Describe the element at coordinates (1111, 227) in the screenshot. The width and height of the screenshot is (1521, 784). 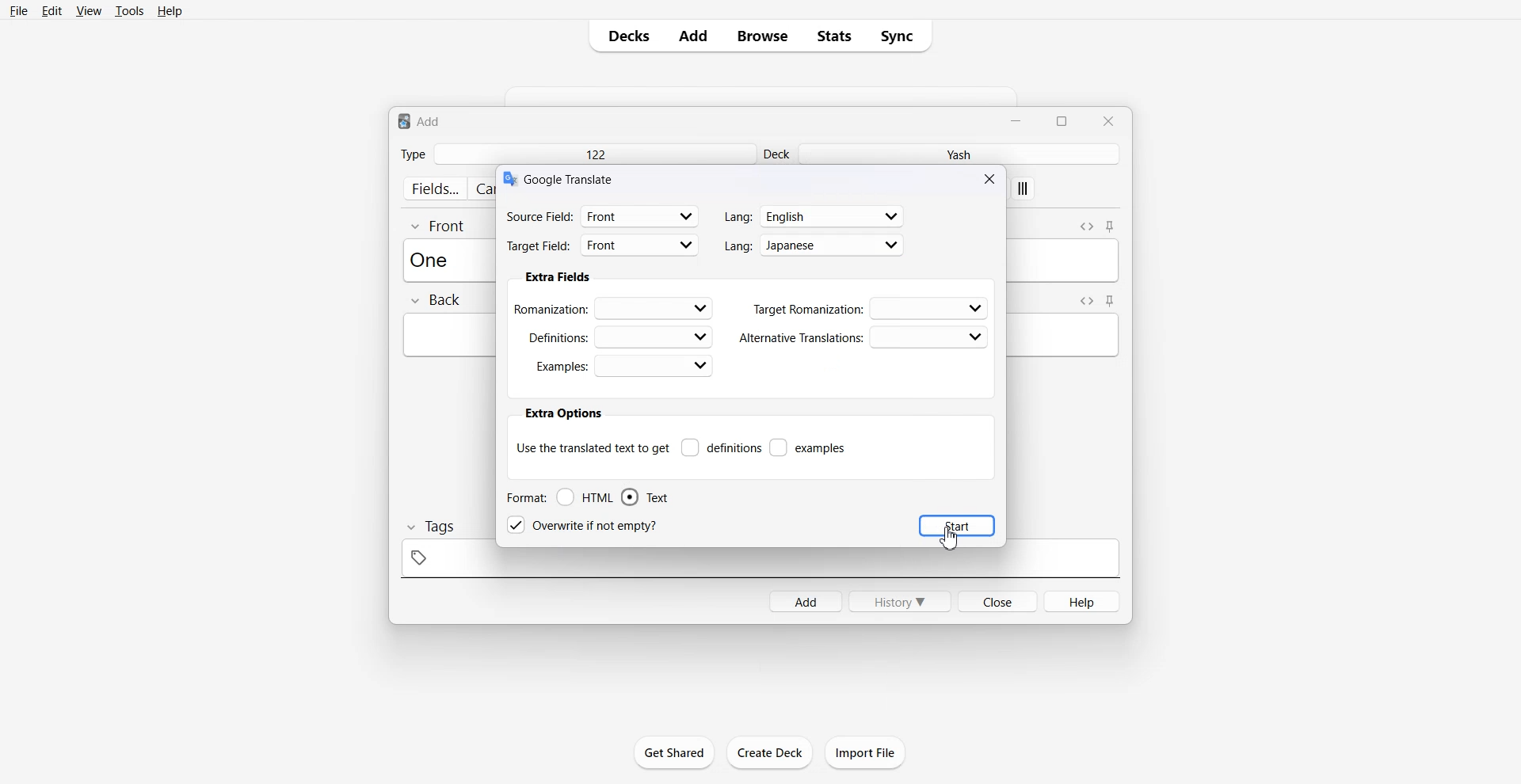
I see `Toggle sticky` at that location.